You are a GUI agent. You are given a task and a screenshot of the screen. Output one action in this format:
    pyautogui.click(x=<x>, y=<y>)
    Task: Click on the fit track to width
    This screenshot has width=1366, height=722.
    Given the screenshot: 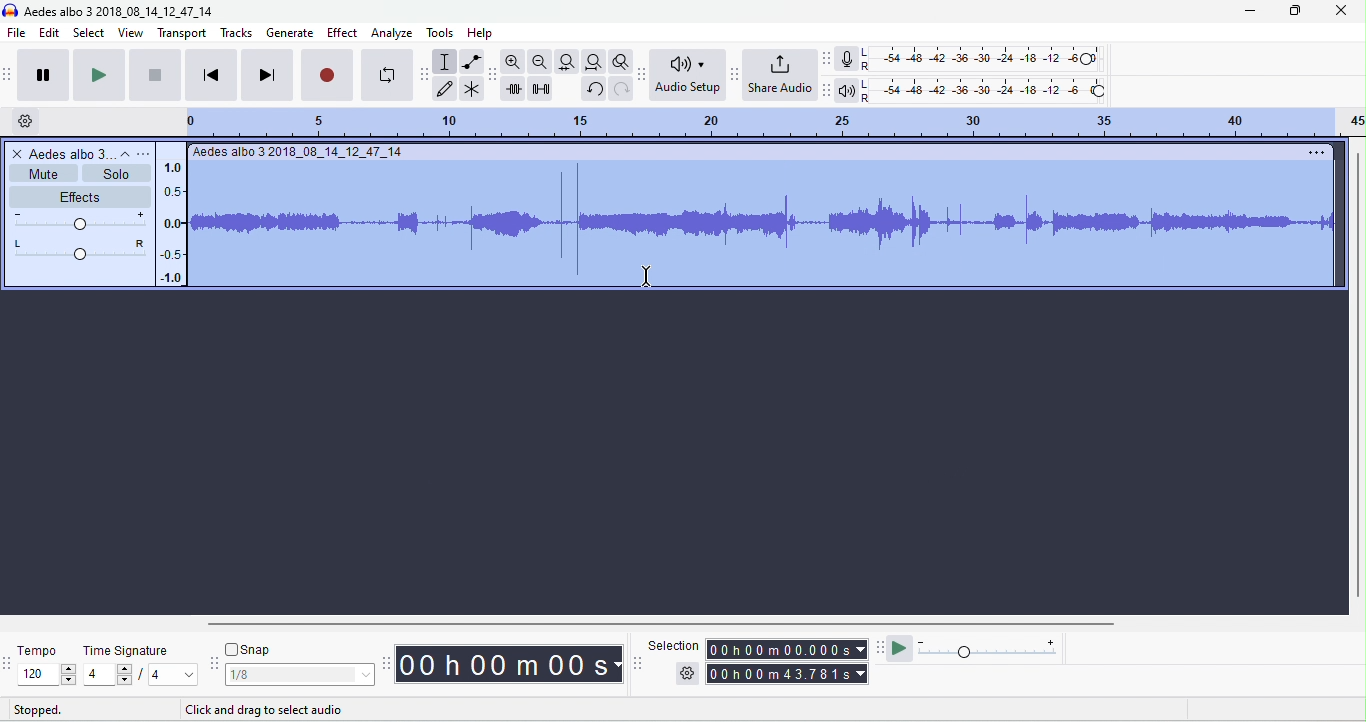 What is the action you would take?
    pyautogui.click(x=566, y=61)
    